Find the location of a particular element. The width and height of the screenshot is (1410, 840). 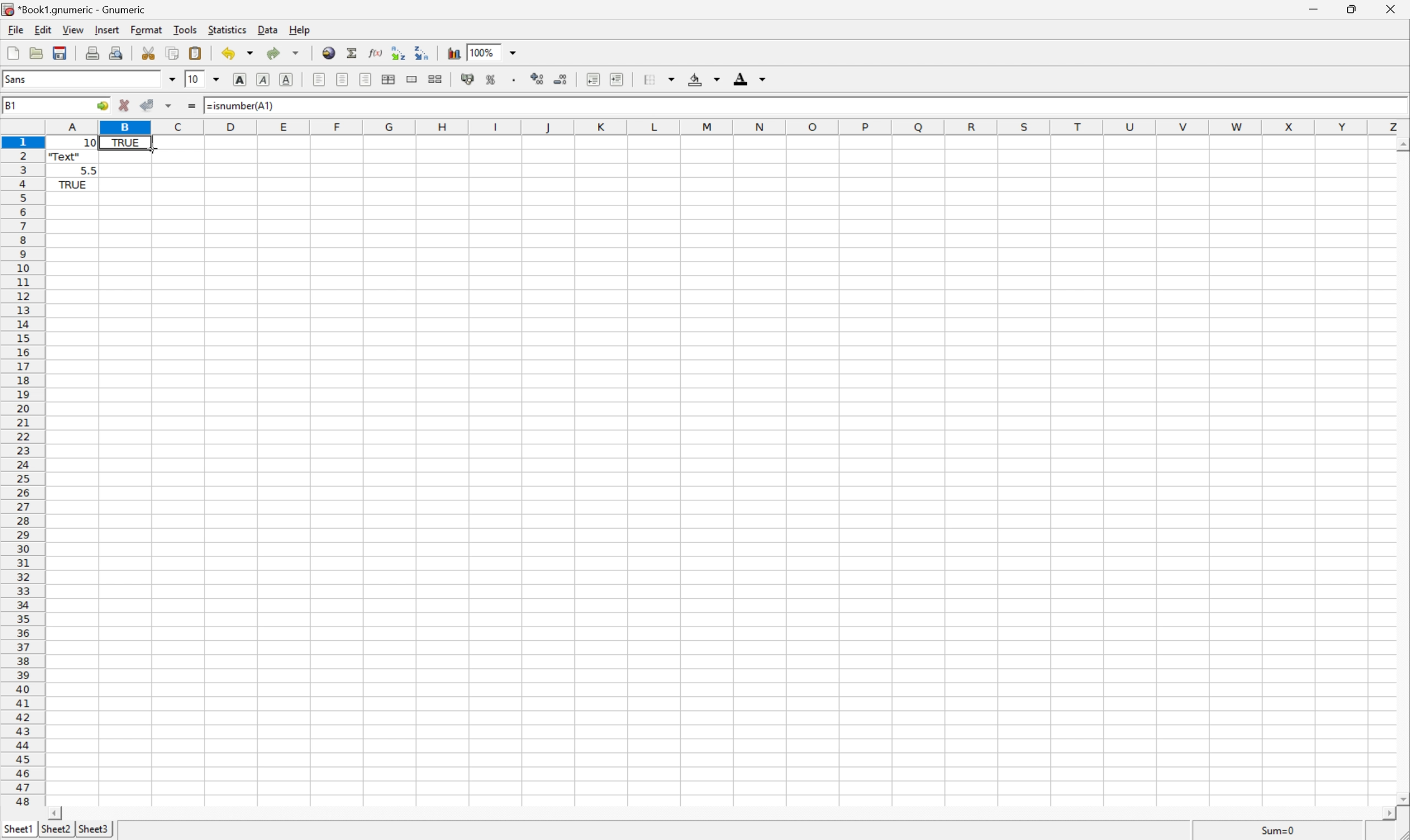

Merge a range of cells is located at coordinates (413, 79).